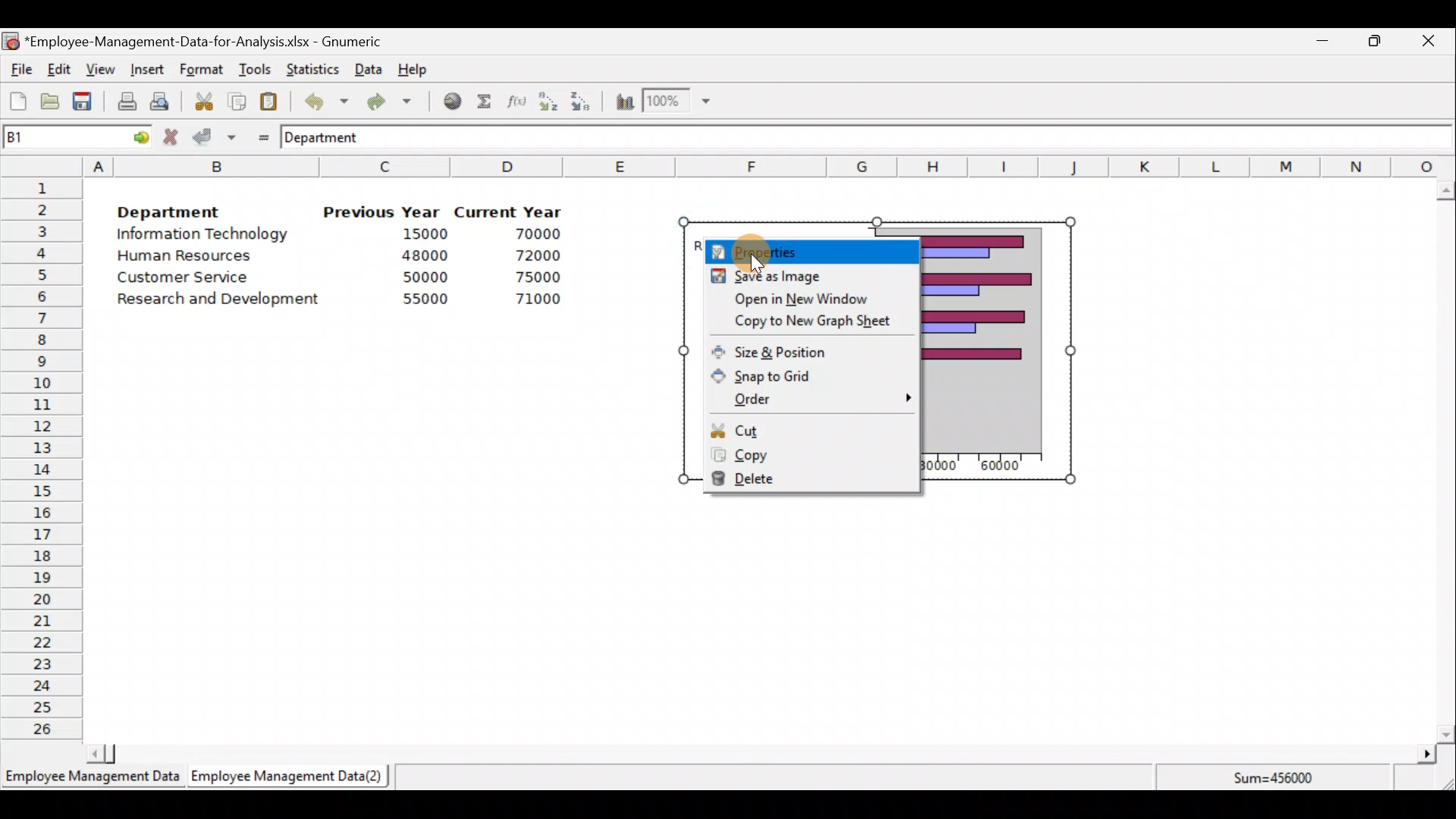 This screenshot has height=819, width=1456. Describe the element at coordinates (758, 754) in the screenshot. I see `Scroll bar` at that location.